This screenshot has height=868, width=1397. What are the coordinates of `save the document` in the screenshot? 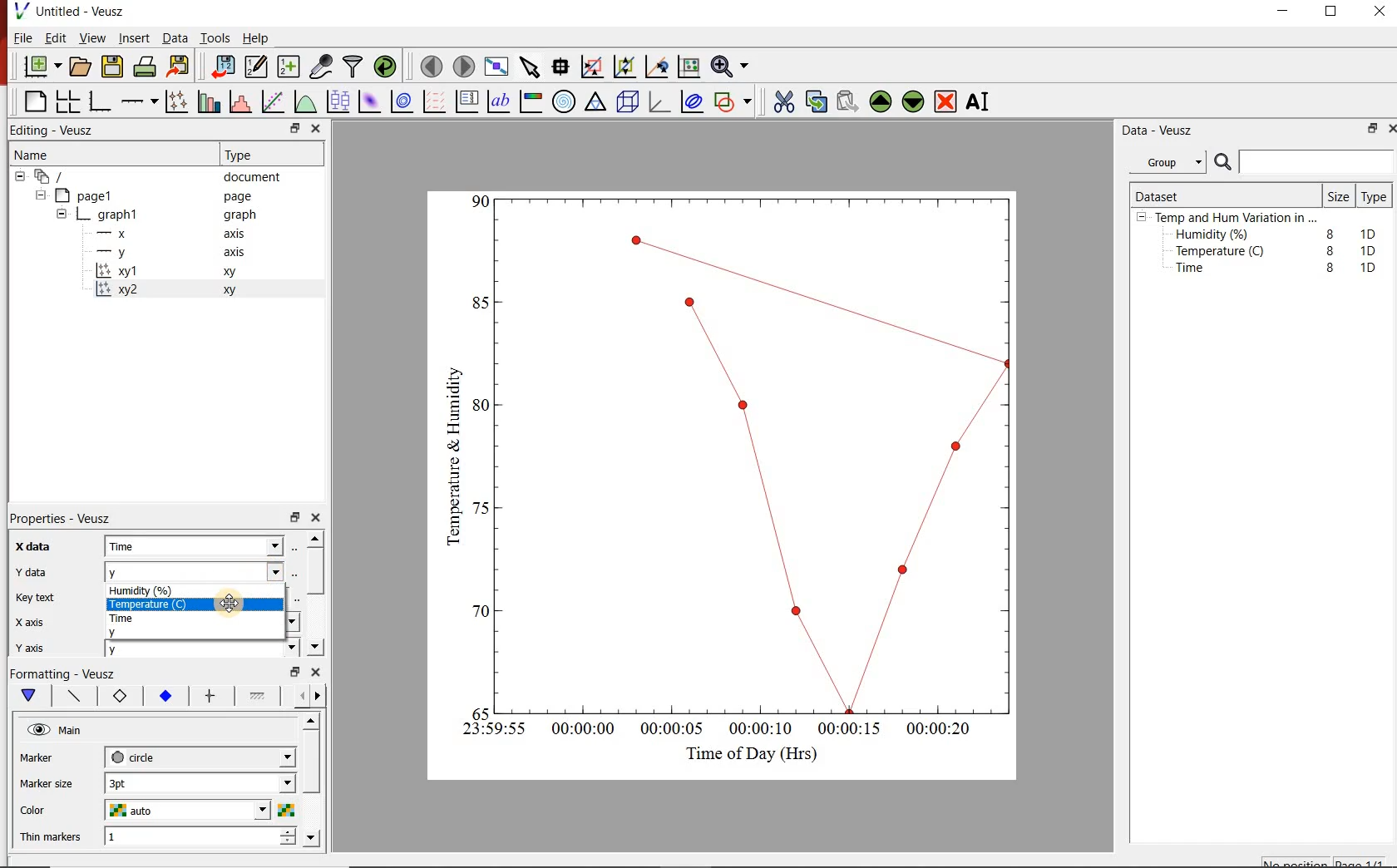 It's located at (113, 67).